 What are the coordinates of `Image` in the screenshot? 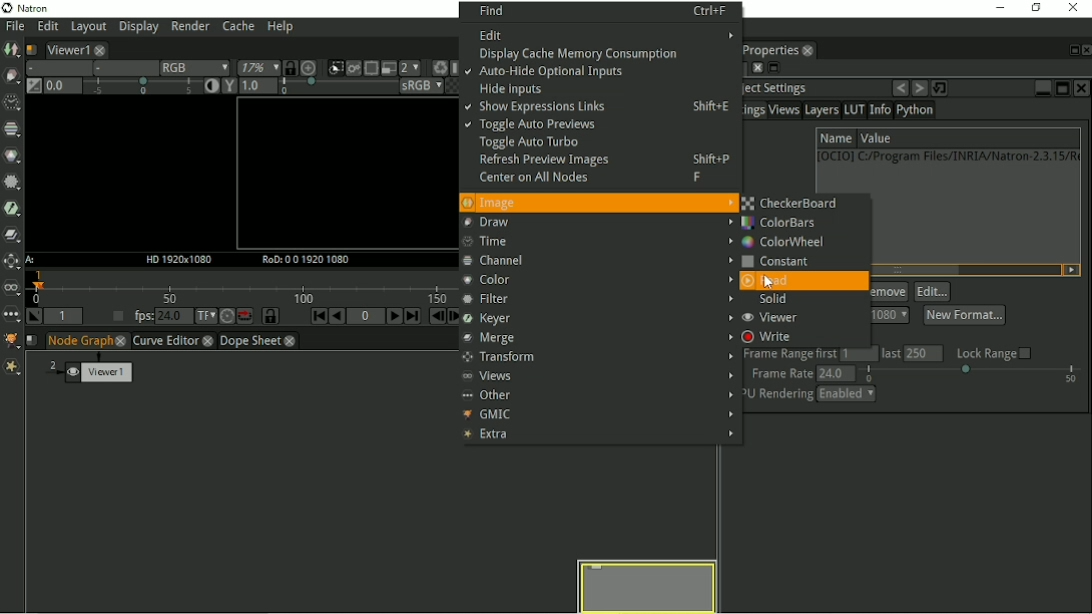 It's located at (599, 202).